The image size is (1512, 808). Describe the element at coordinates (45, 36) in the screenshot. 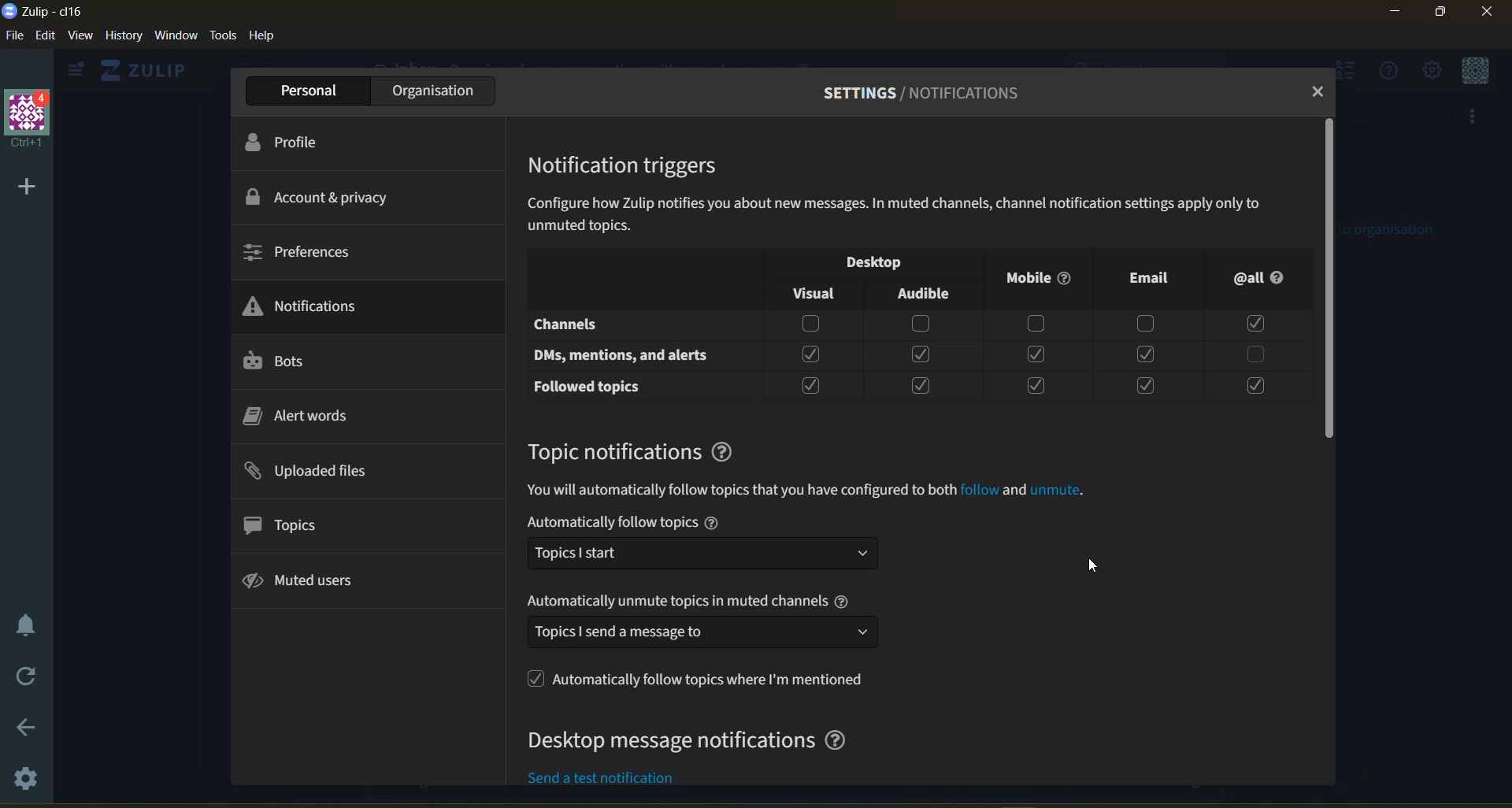

I see `edit` at that location.